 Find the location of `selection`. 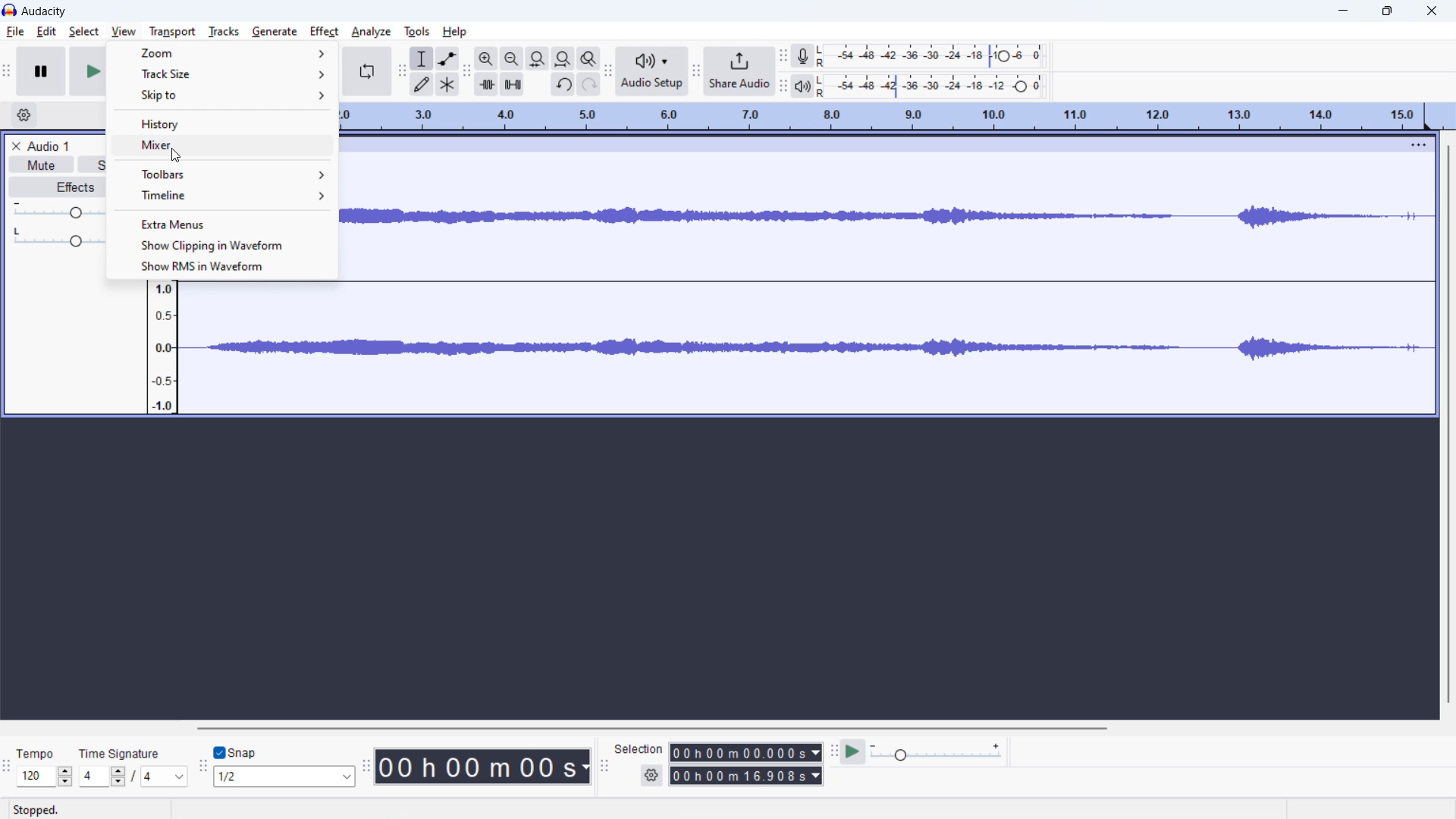

selection is located at coordinates (639, 752).